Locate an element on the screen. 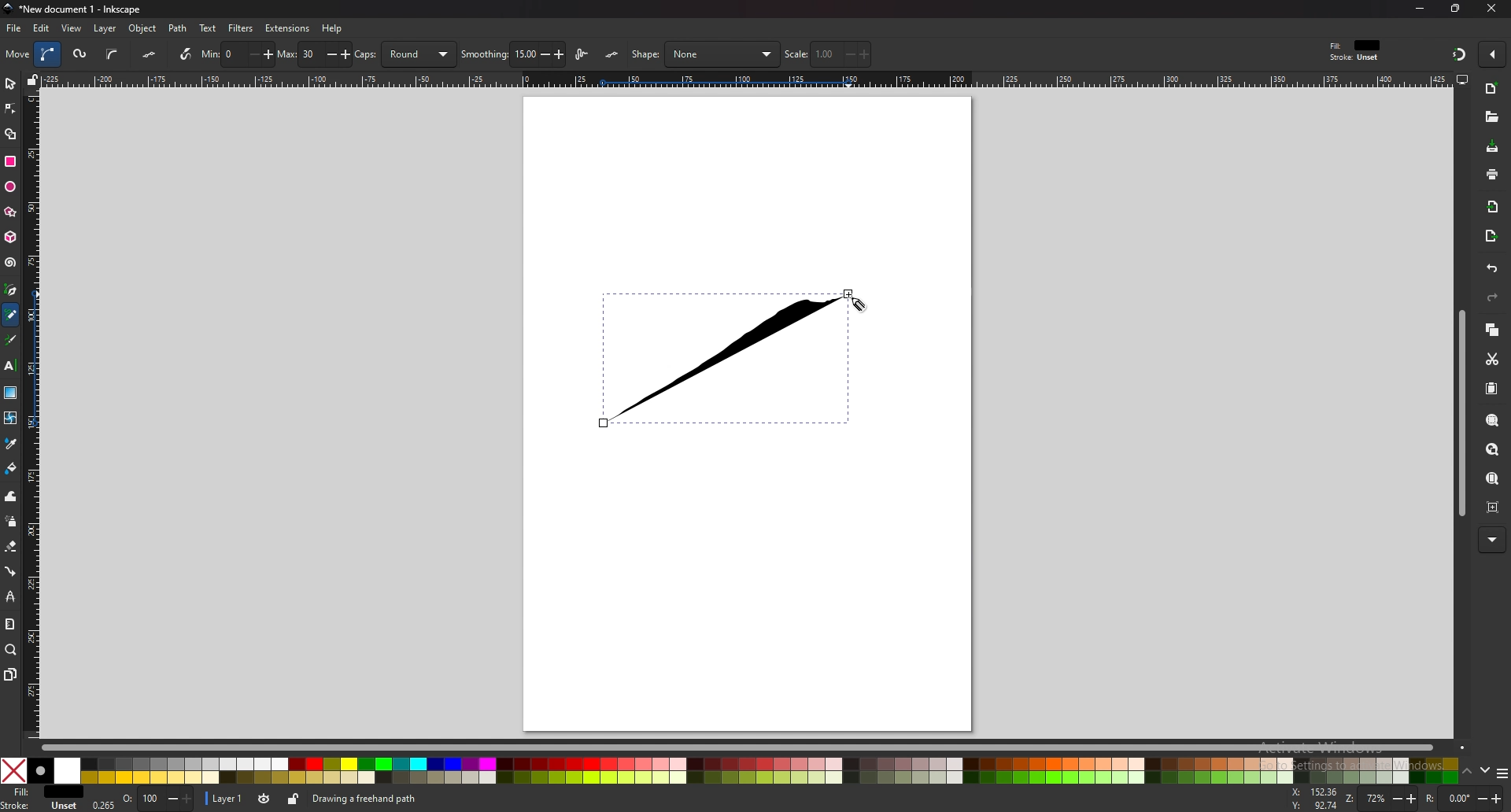  paste is located at coordinates (1491, 389).